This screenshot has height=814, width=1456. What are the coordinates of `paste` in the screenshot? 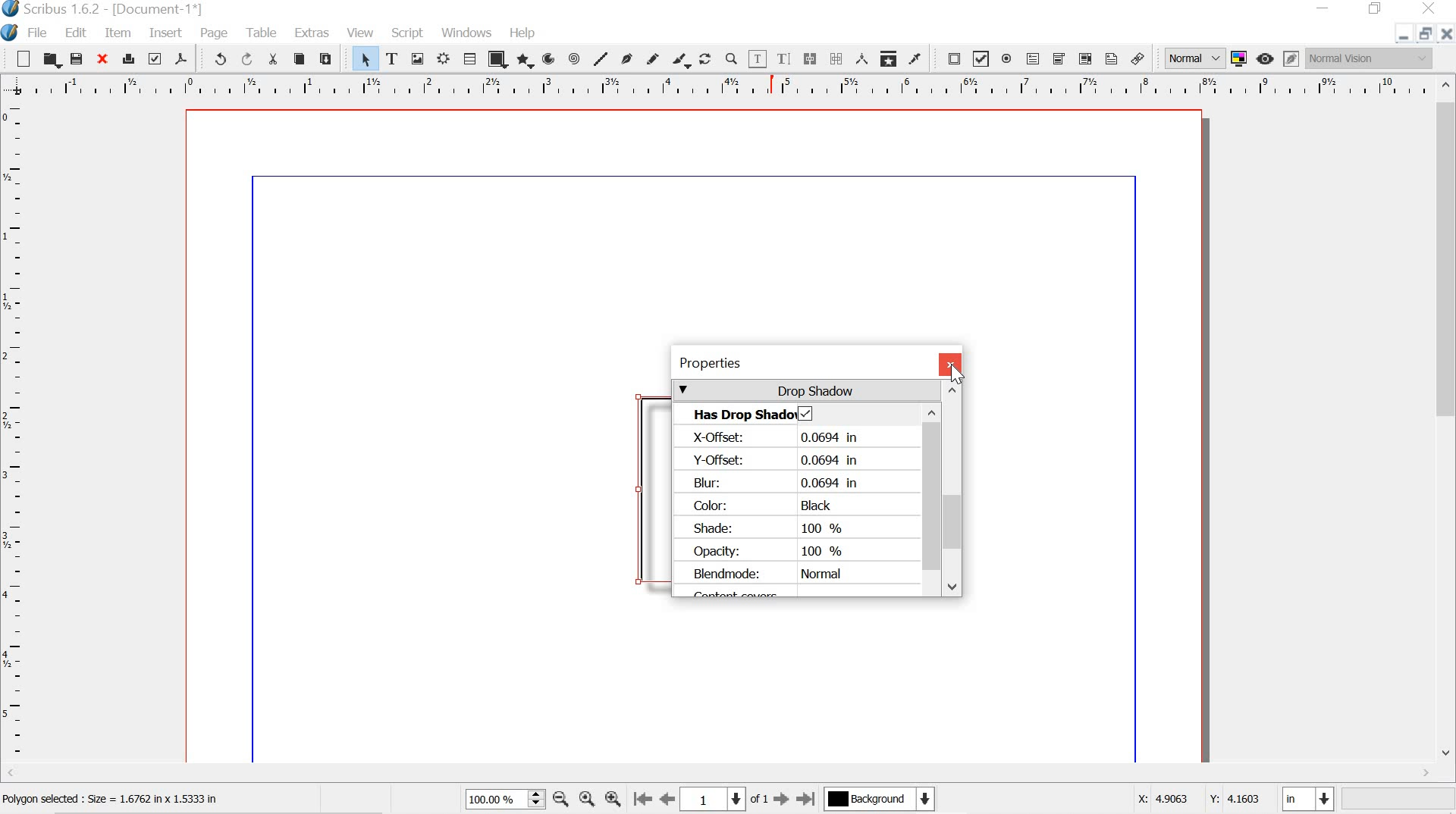 It's located at (328, 57).